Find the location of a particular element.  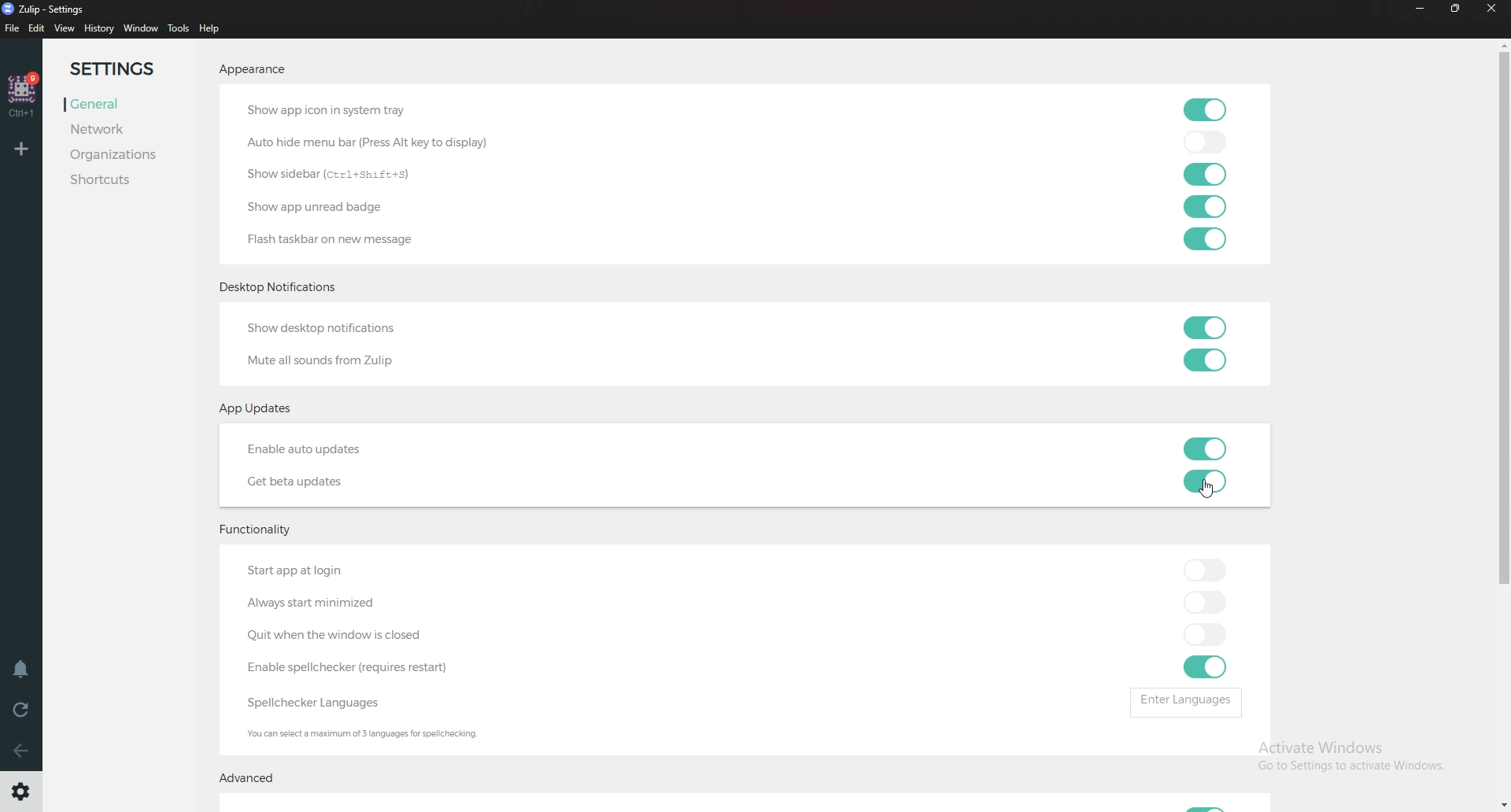

toggle is located at coordinates (1201, 602).